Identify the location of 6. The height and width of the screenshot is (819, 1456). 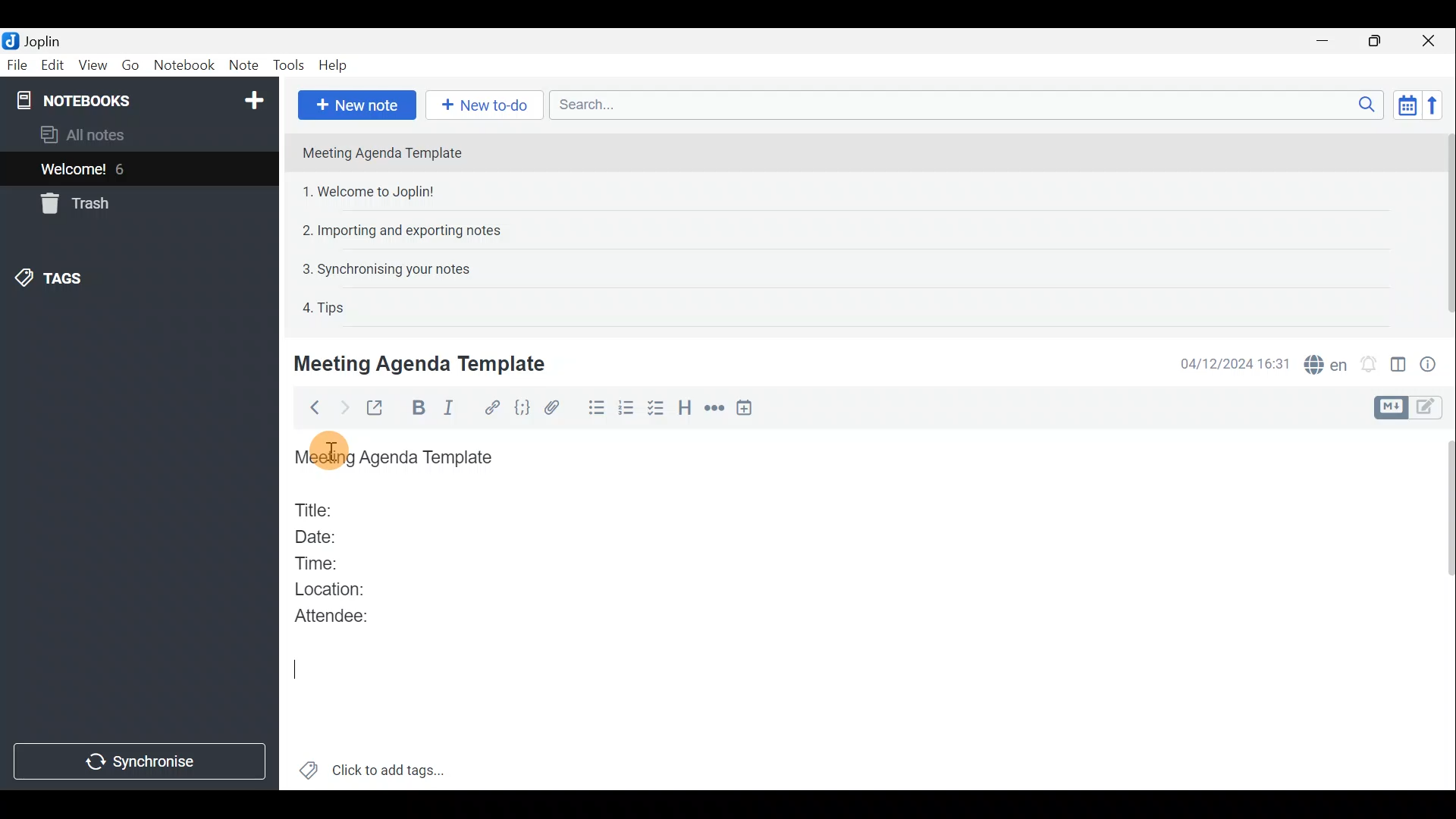
(124, 169).